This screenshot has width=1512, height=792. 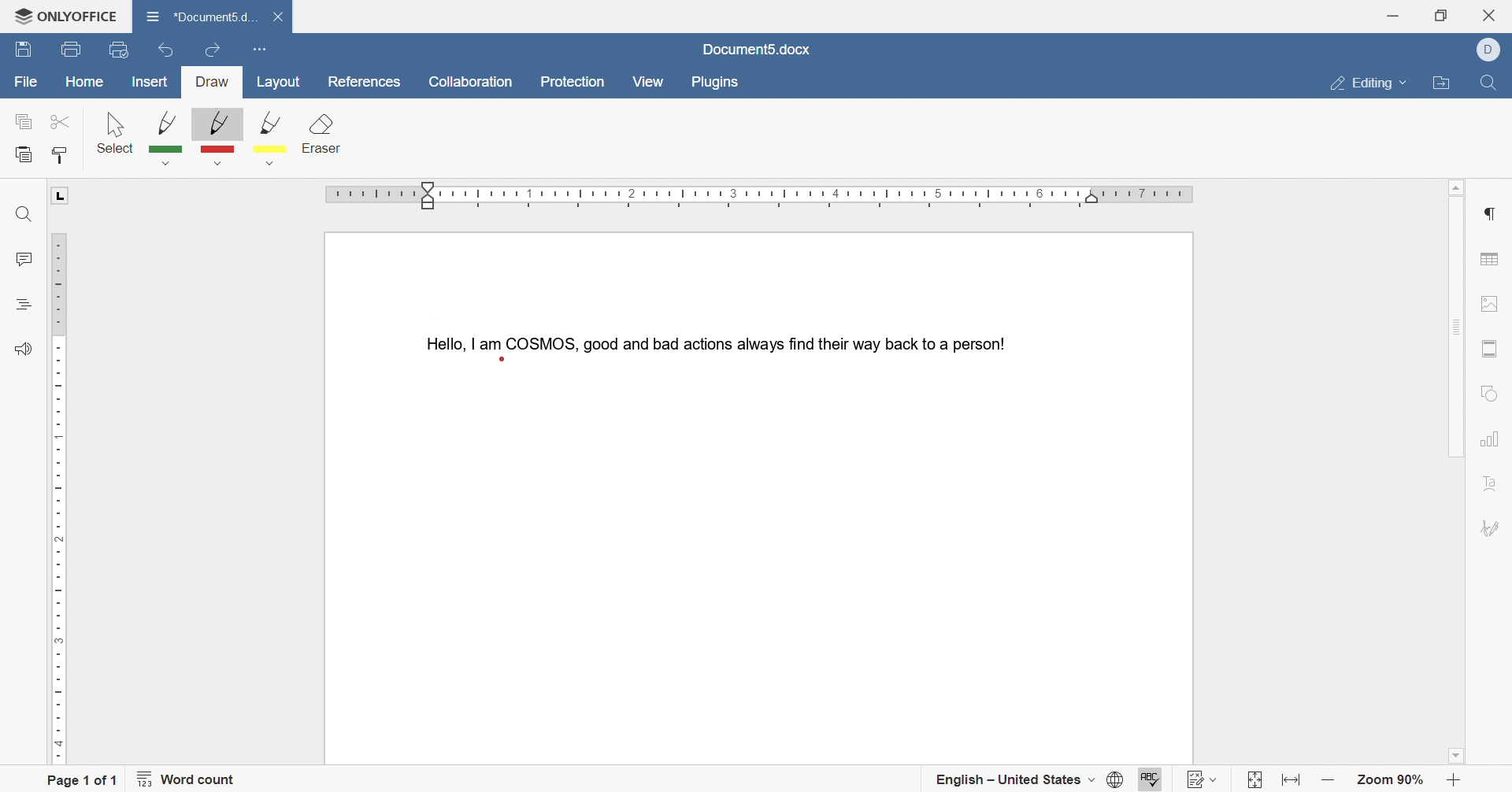 I want to click on copy style, so click(x=62, y=154).